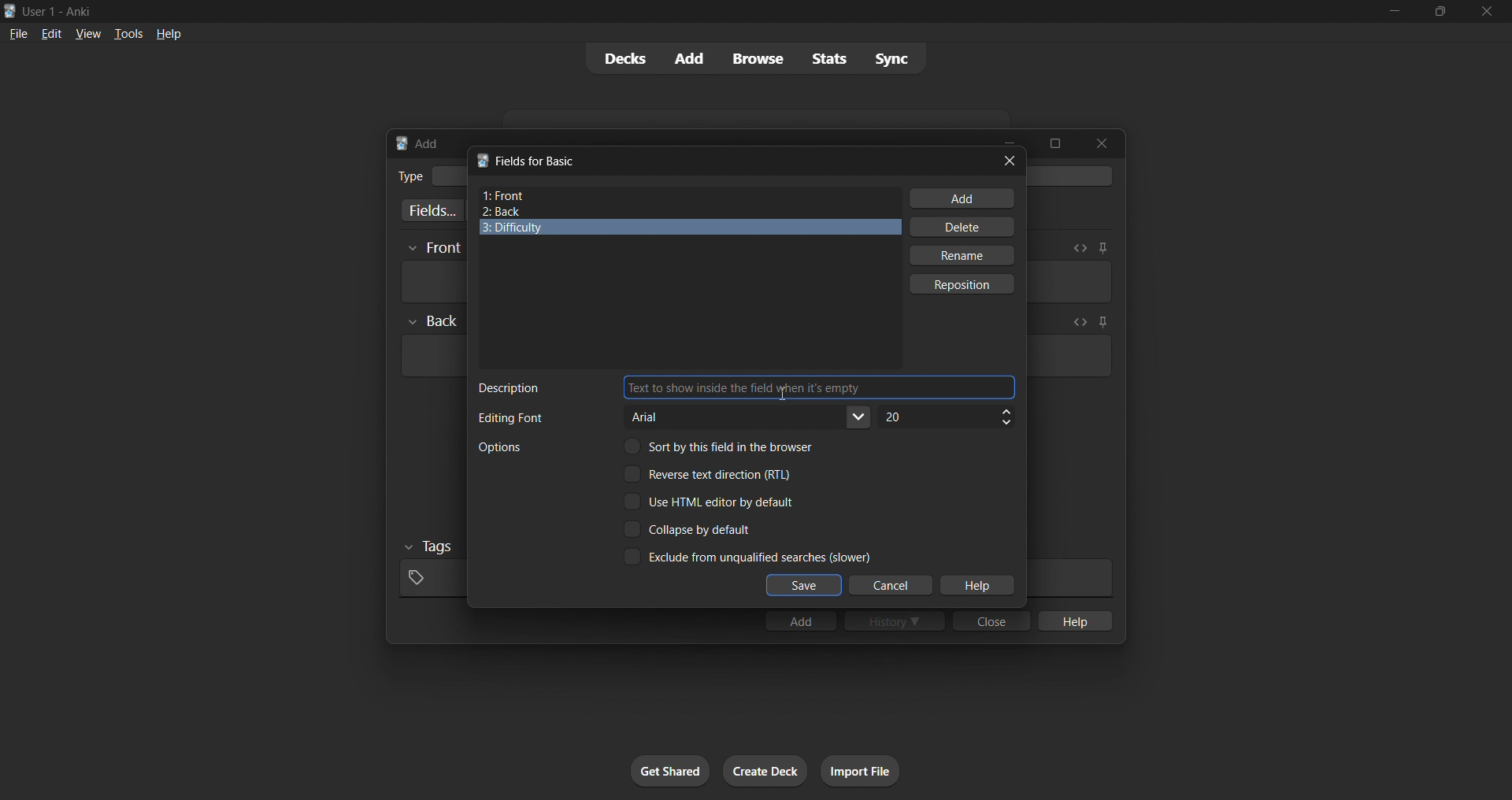 The image size is (1512, 800). Describe the element at coordinates (1102, 143) in the screenshot. I see `close` at that location.